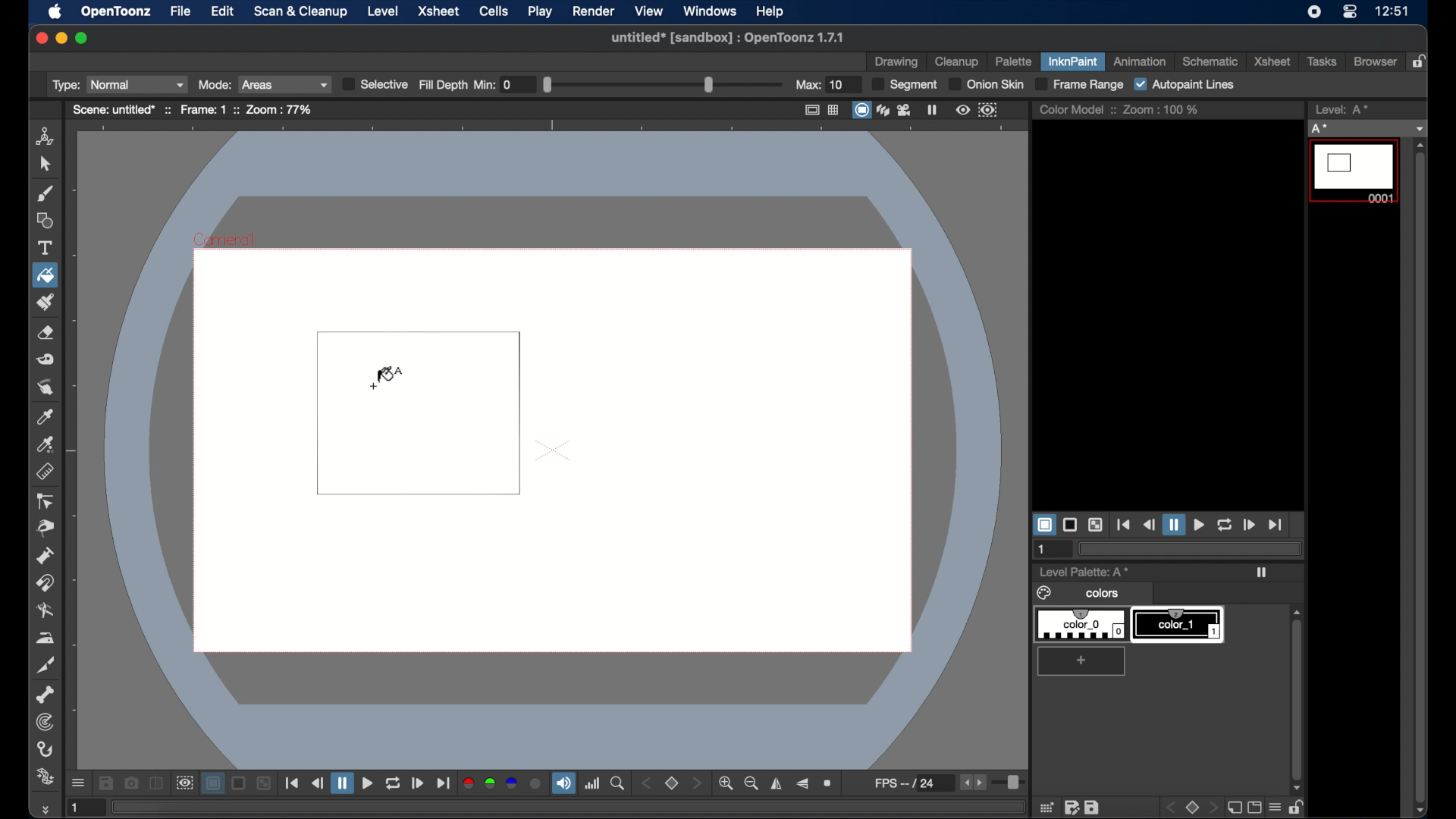 This screenshot has height=819, width=1456. I want to click on checkered background, so click(263, 783).